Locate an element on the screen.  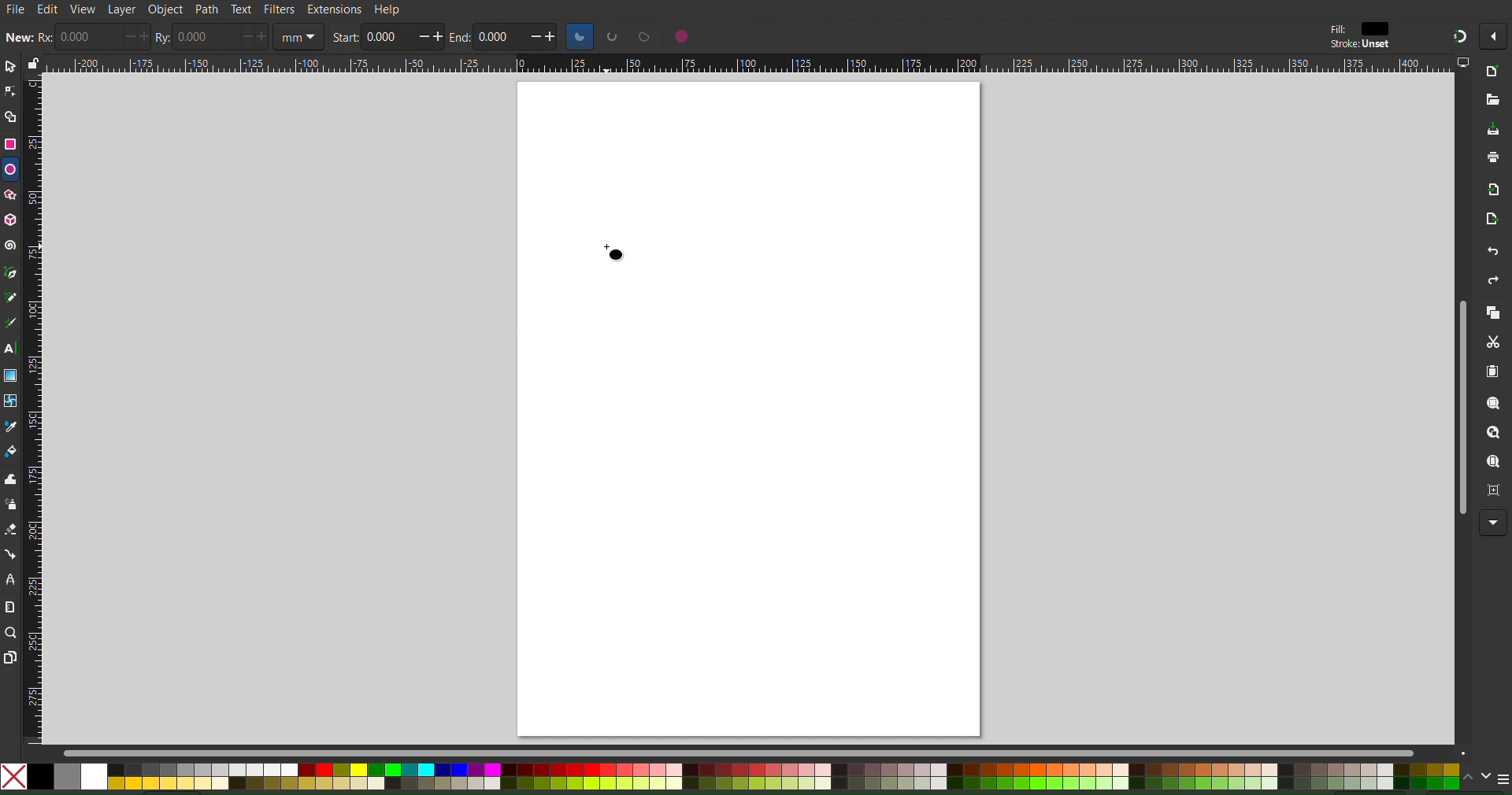
menu is located at coordinates (1503, 780).